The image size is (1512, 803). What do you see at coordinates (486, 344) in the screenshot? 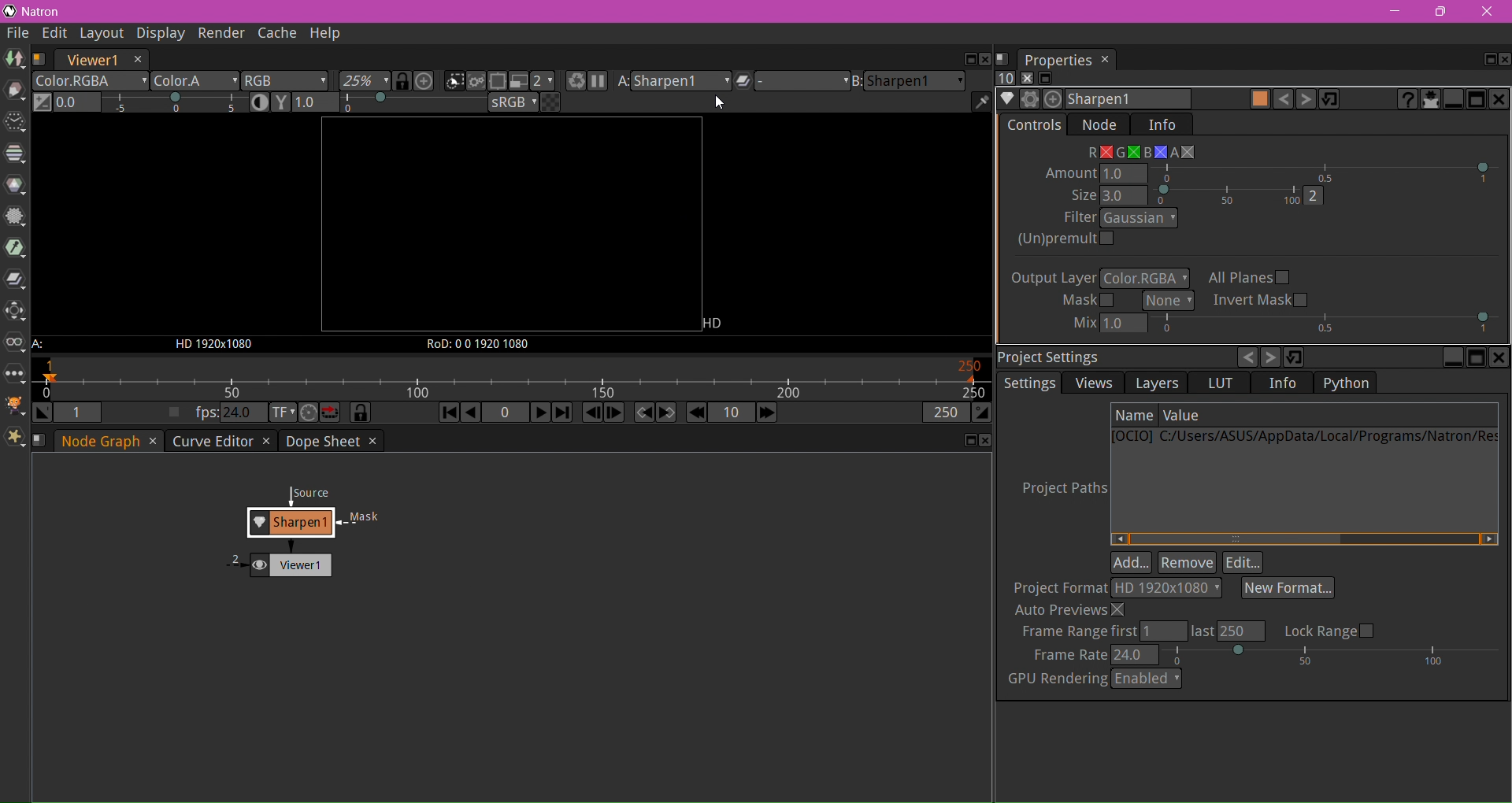
I see `Region of Definition of the displayed image` at bounding box center [486, 344].